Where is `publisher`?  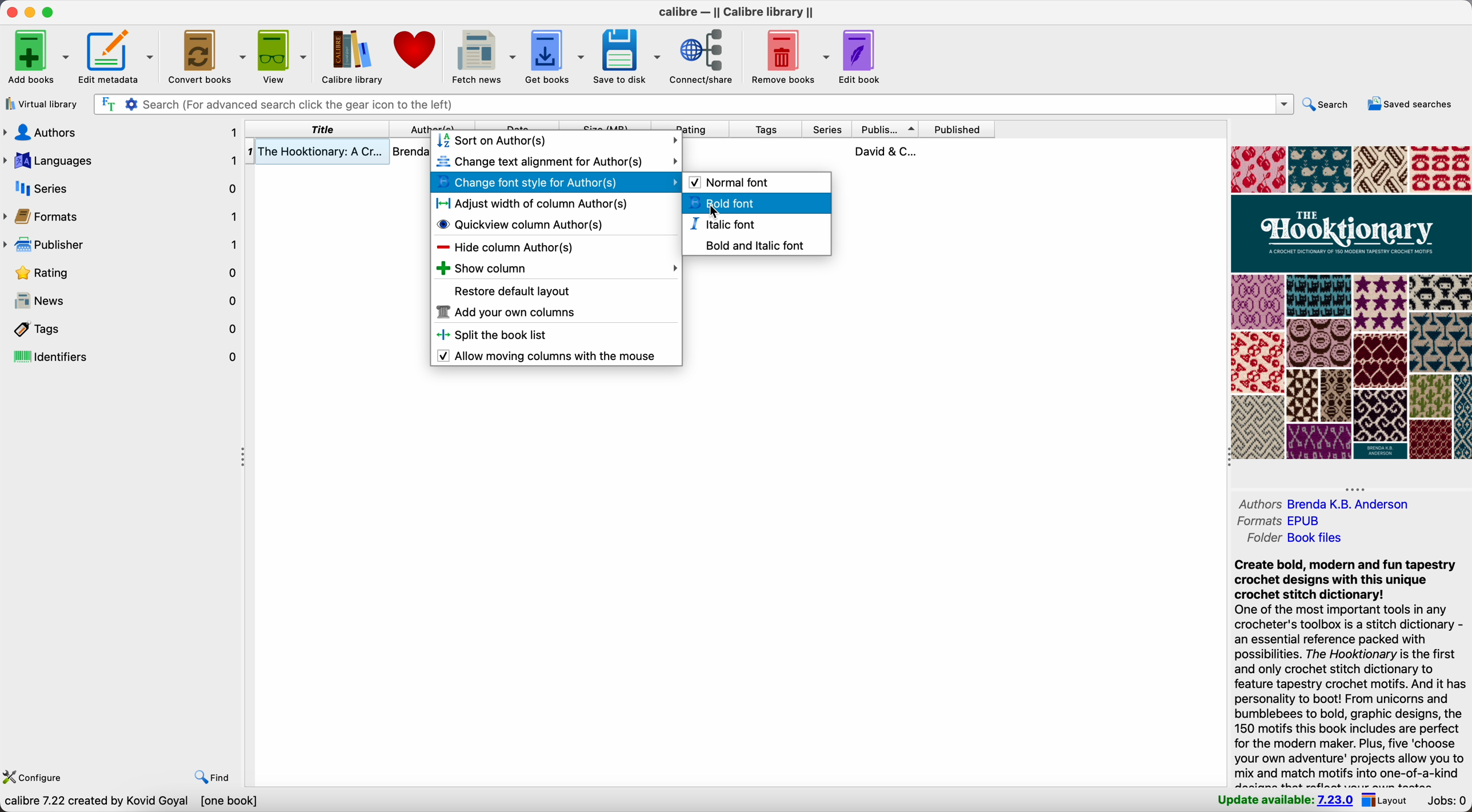
publisher is located at coordinates (886, 129).